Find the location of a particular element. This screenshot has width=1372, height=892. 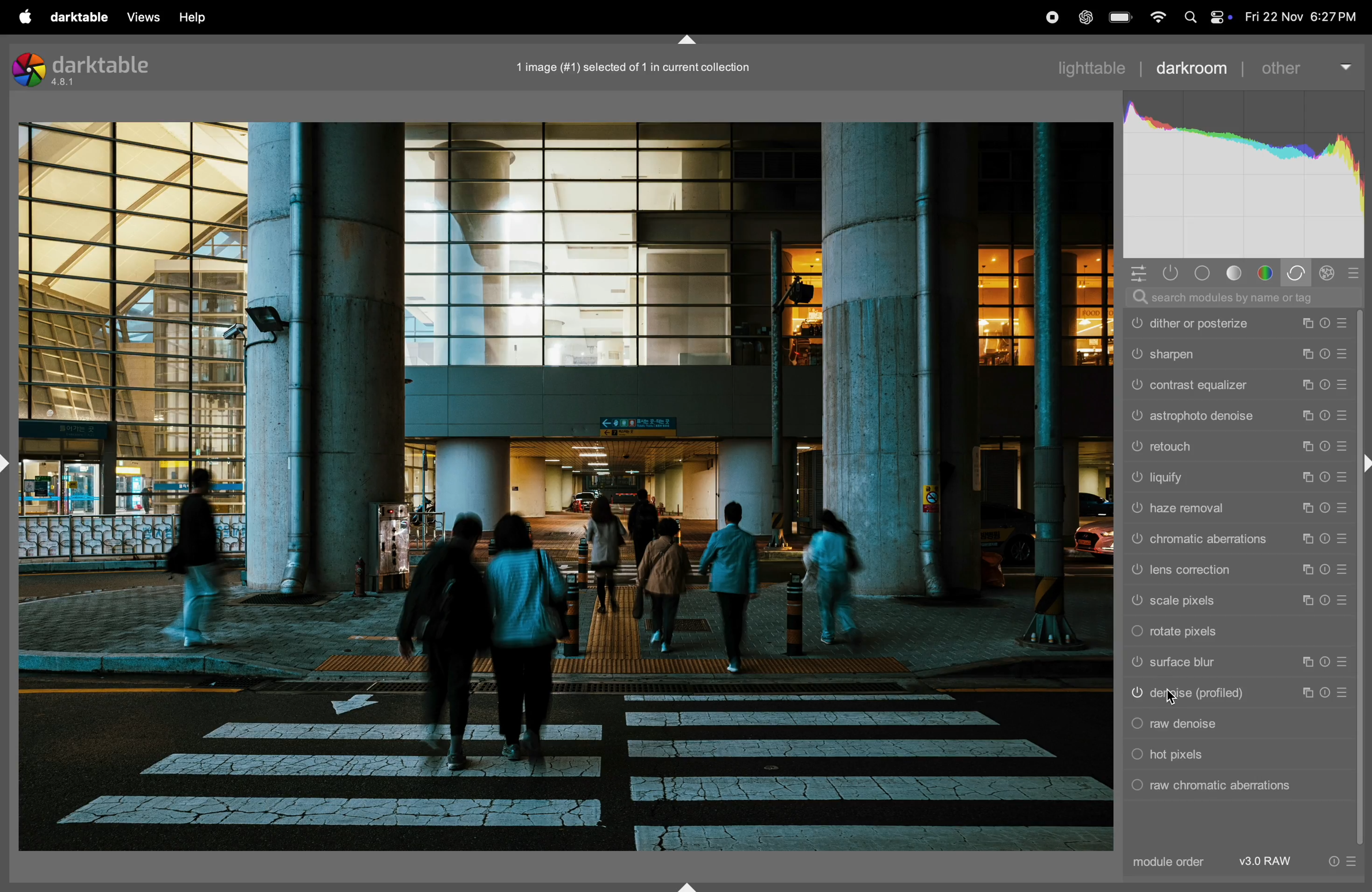

effect is located at coordinates (1328, 274).